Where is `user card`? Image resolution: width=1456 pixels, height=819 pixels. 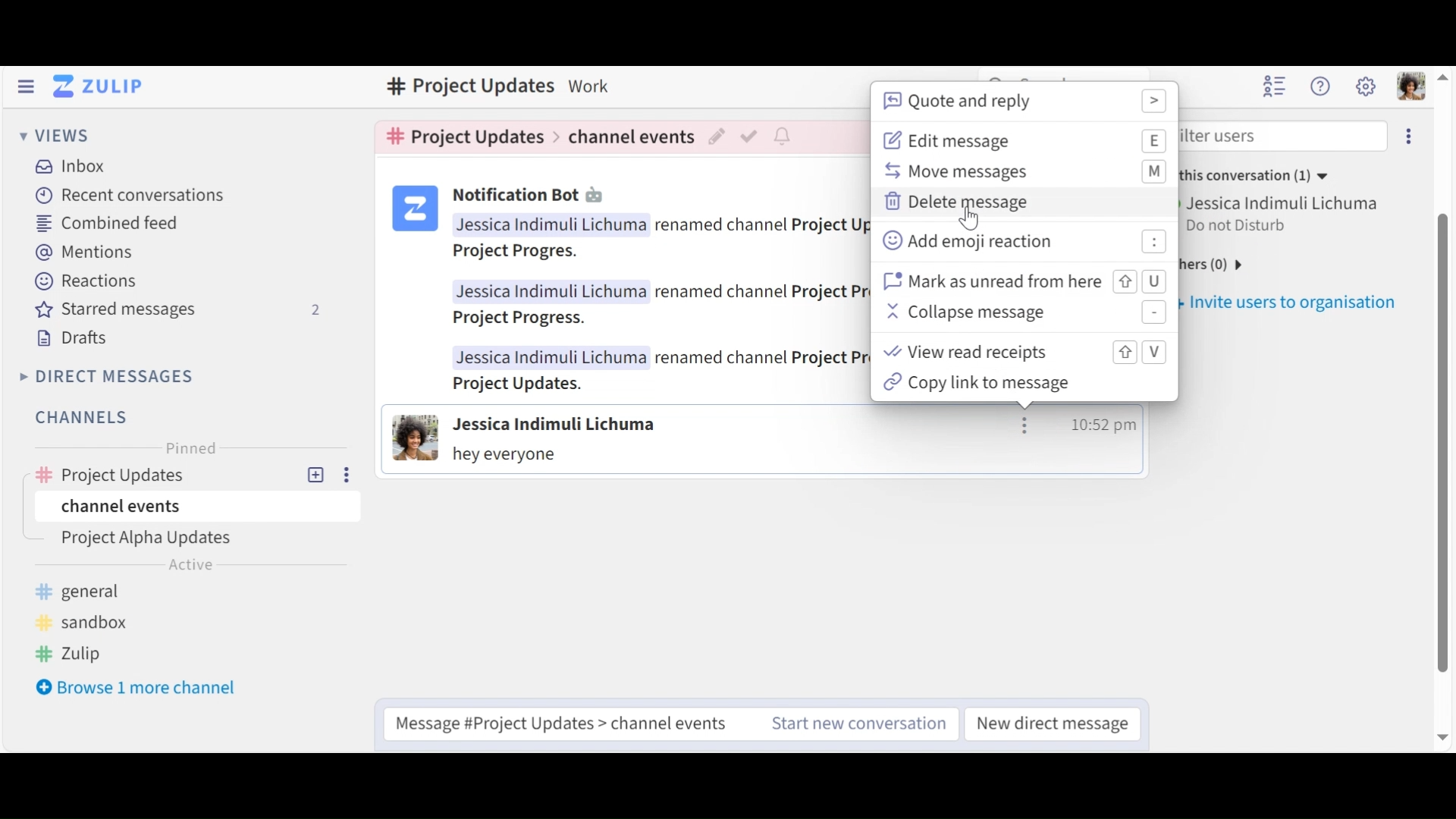 user card is located at coordinates (413, 209).